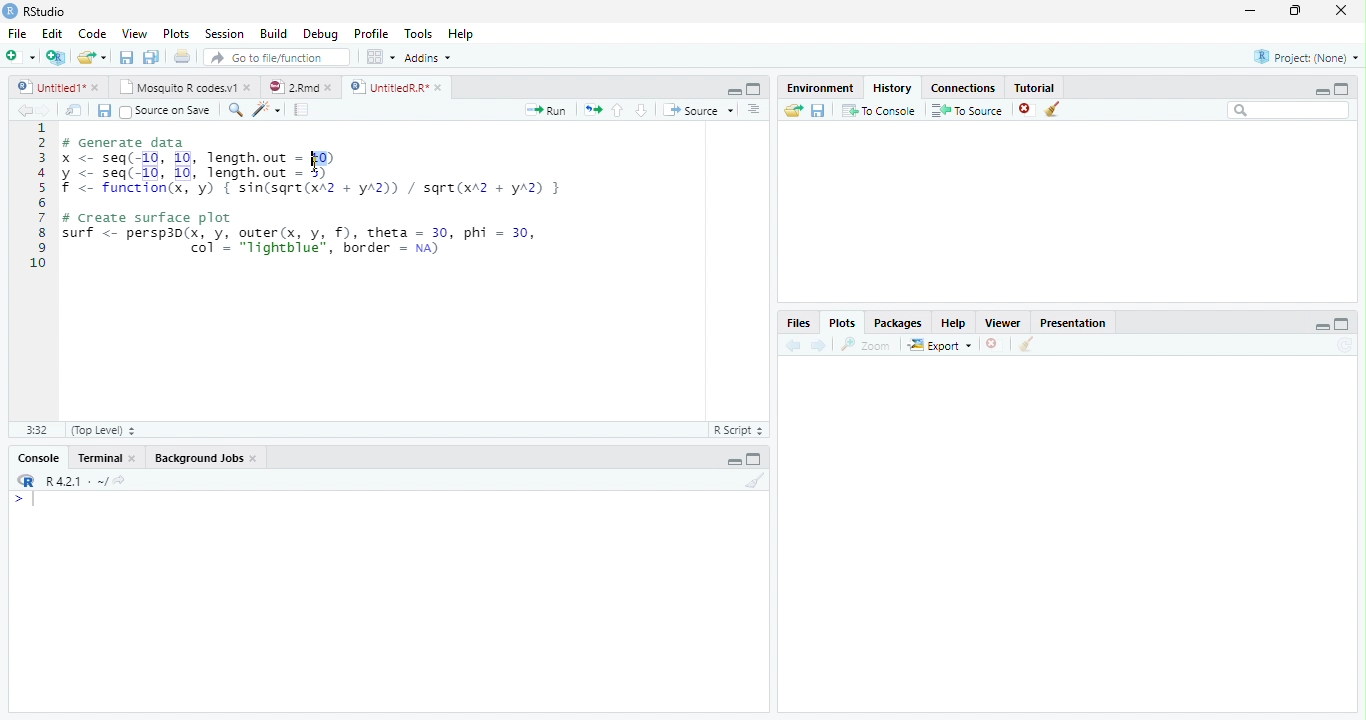  I want to click on Tutorial, so click(1034, 86).